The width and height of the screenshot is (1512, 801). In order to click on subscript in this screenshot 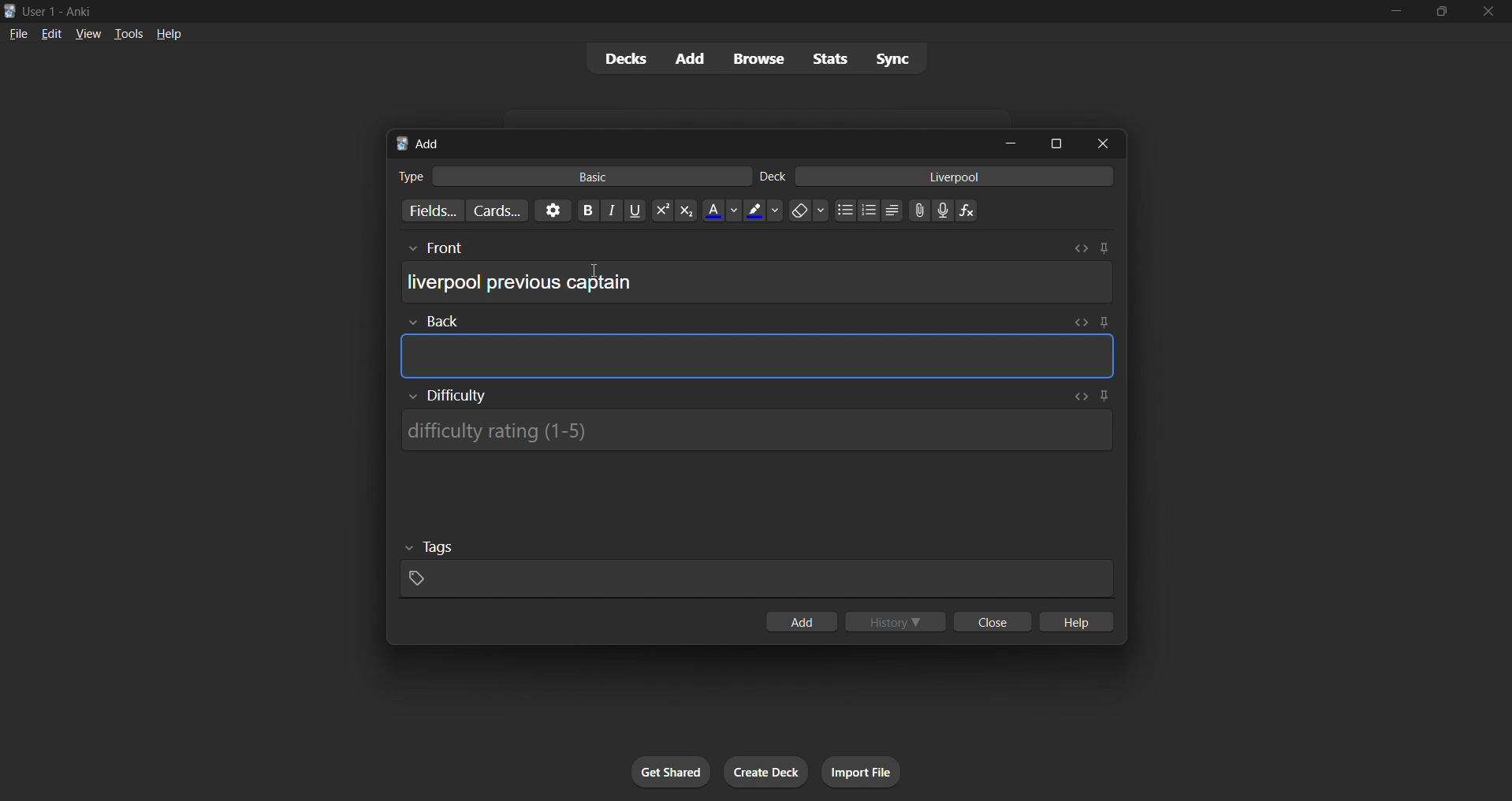, I will do `click(684, 210)`.